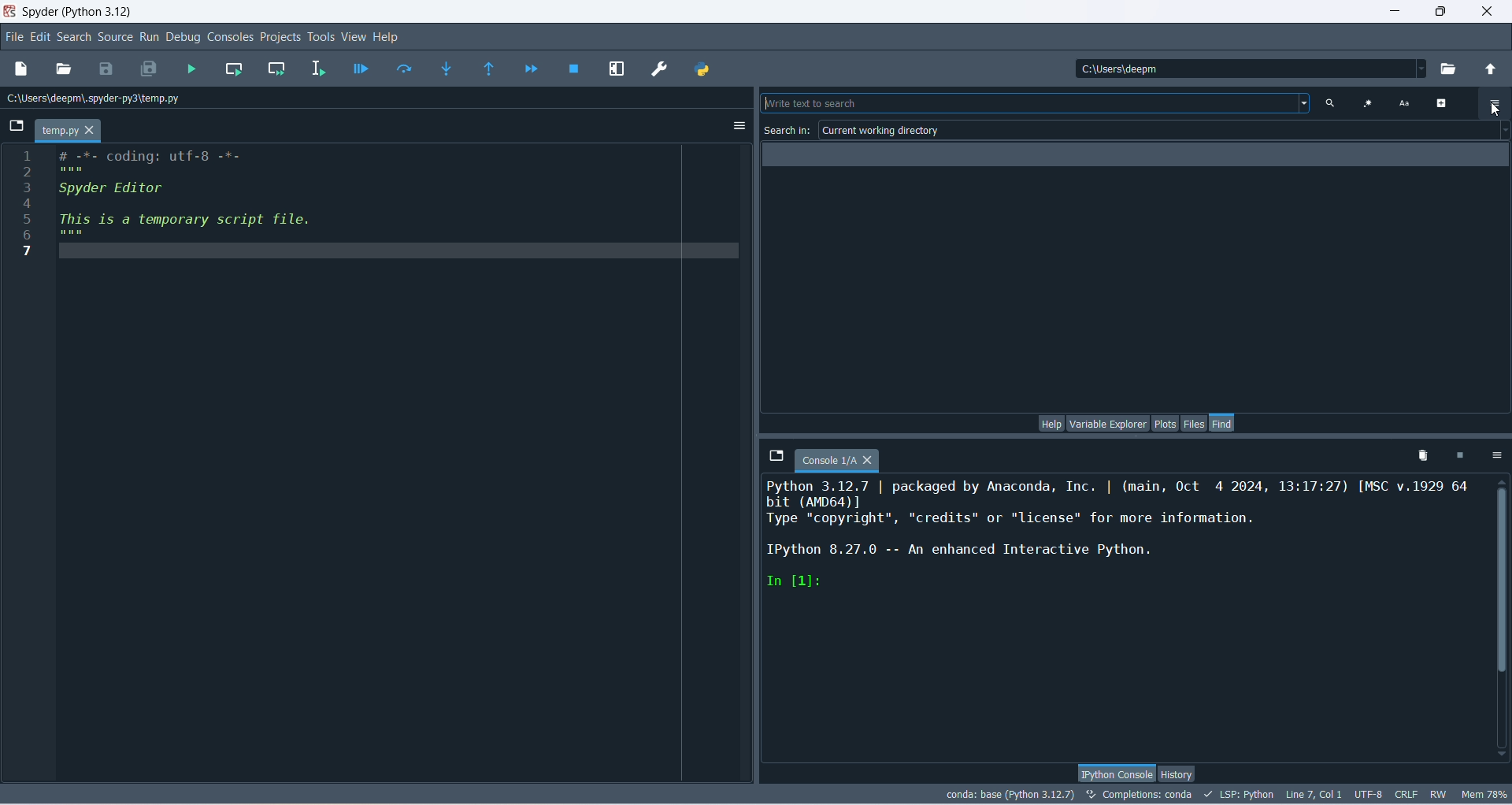 The height and width of the screenshot is (805, 1512). I want to click on options, so click(738, 127).